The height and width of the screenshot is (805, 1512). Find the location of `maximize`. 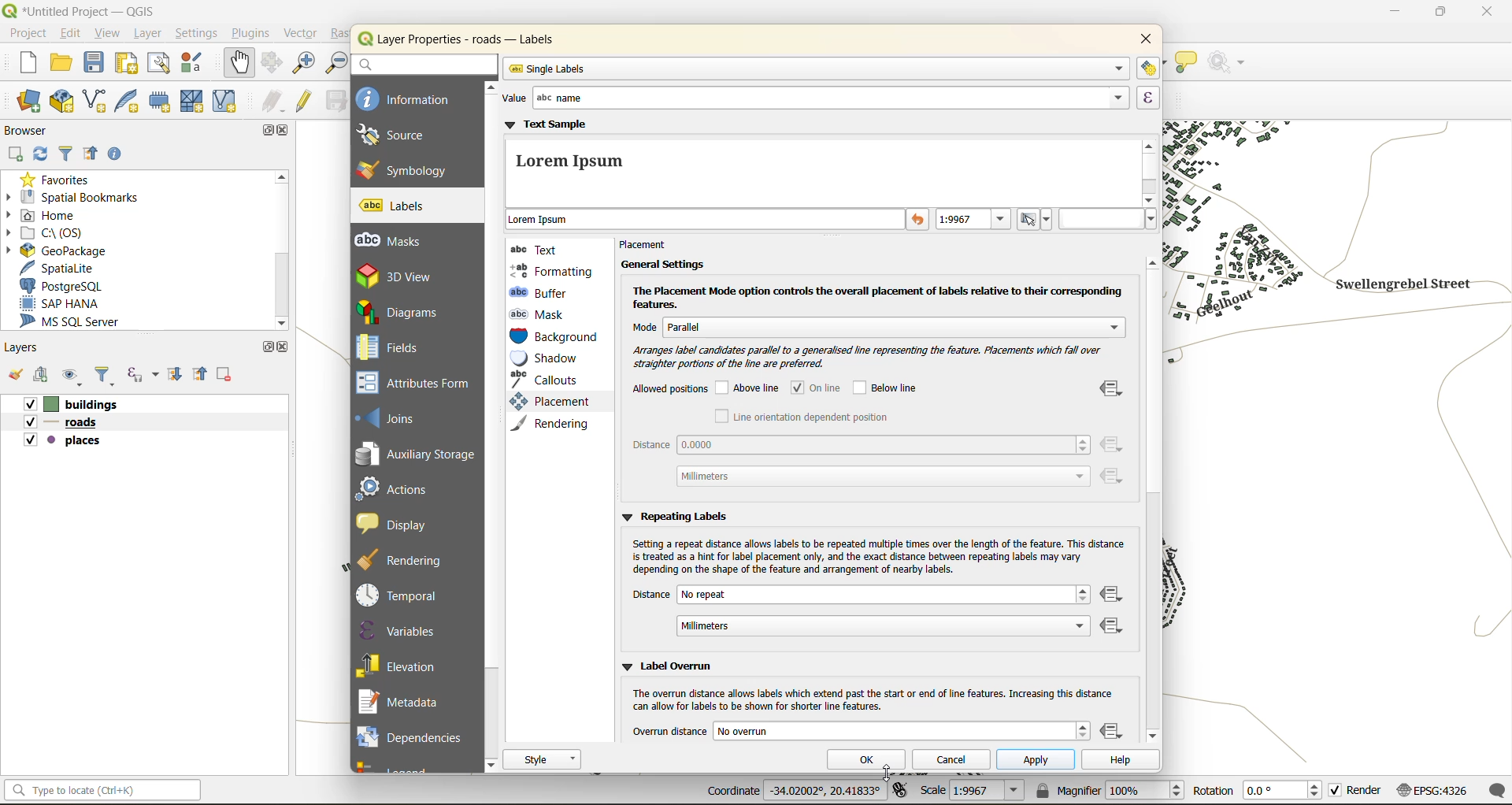

maximize is located at coordinates (269, 132).